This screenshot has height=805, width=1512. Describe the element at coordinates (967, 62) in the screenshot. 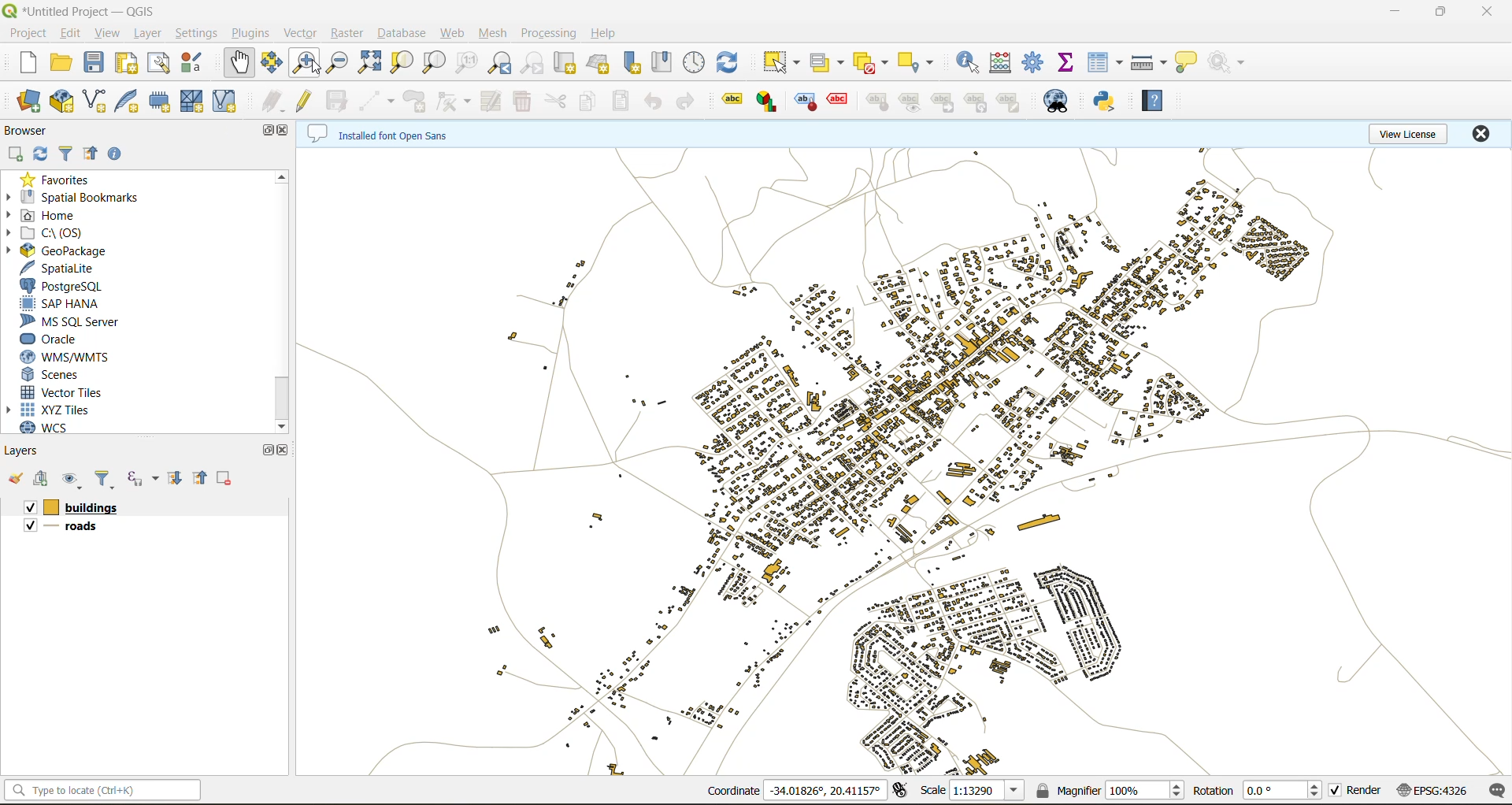

I see `identify features` at that location.